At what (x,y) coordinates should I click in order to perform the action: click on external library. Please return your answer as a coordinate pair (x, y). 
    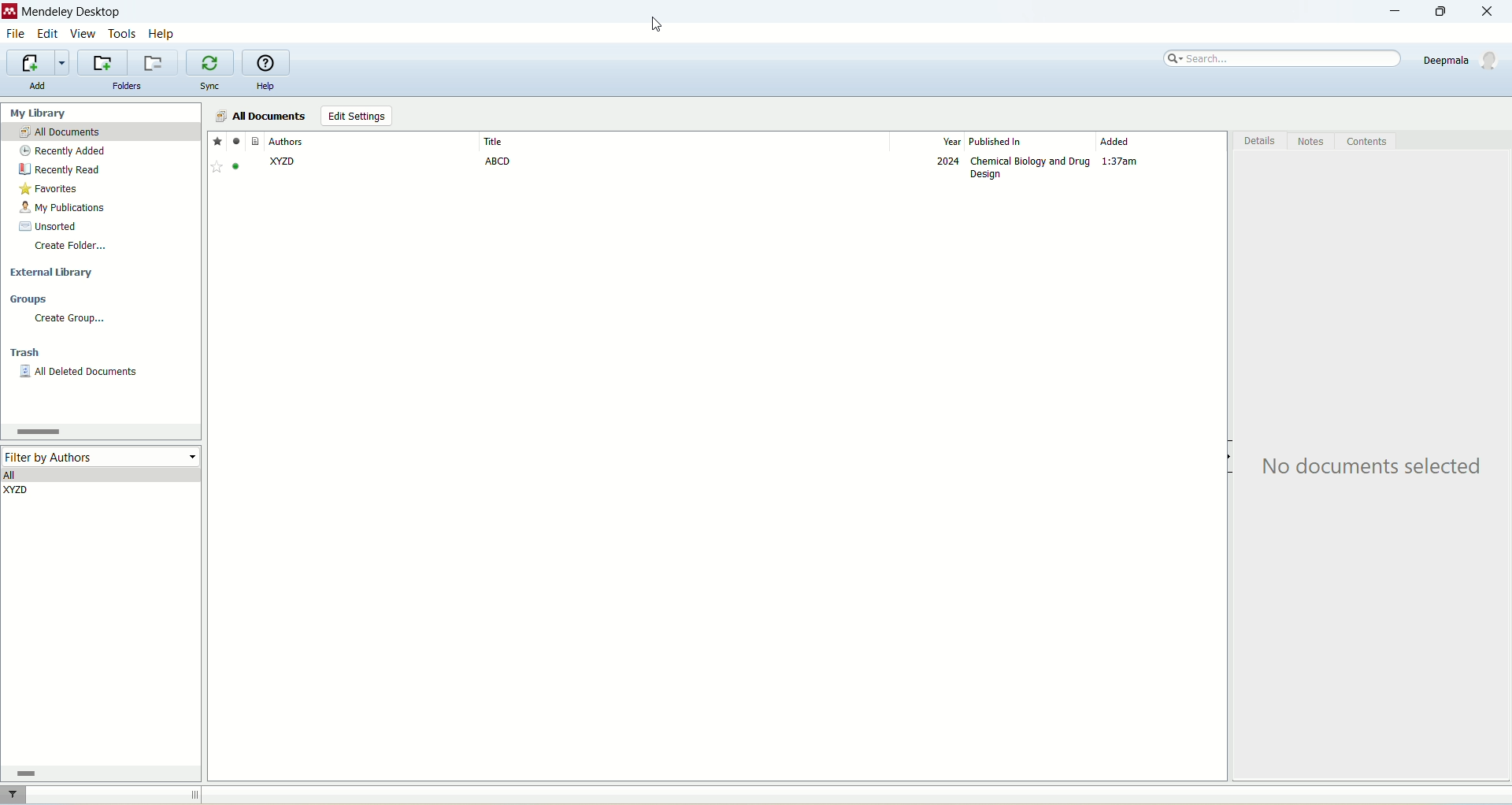
    Looking at the image, I should click on (53, 272).